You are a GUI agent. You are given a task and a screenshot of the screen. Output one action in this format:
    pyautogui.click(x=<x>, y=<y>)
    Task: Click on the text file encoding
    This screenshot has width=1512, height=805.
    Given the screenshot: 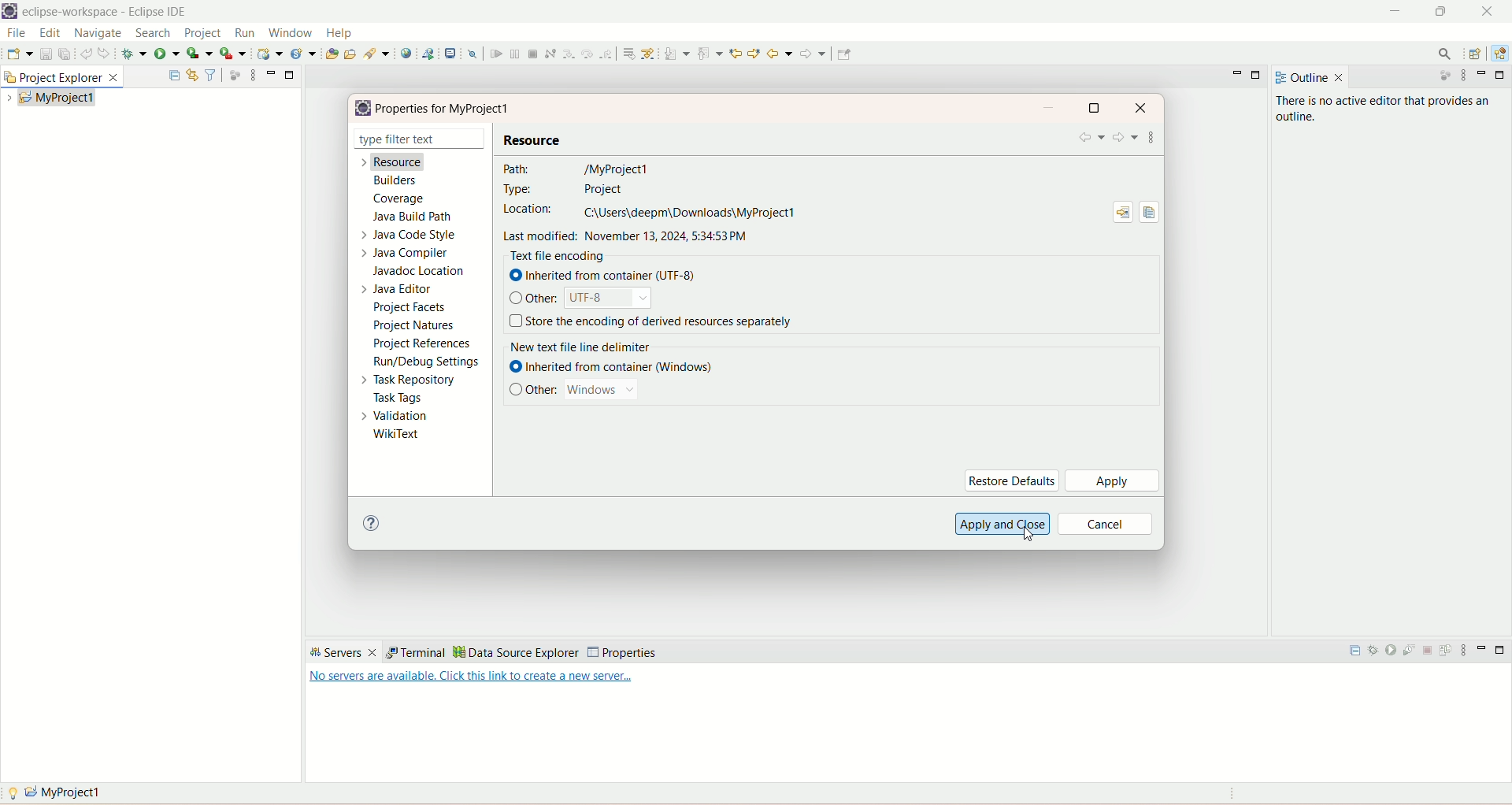 What is the action you would take?
    pyautogui.click(x=557, y=257)
    